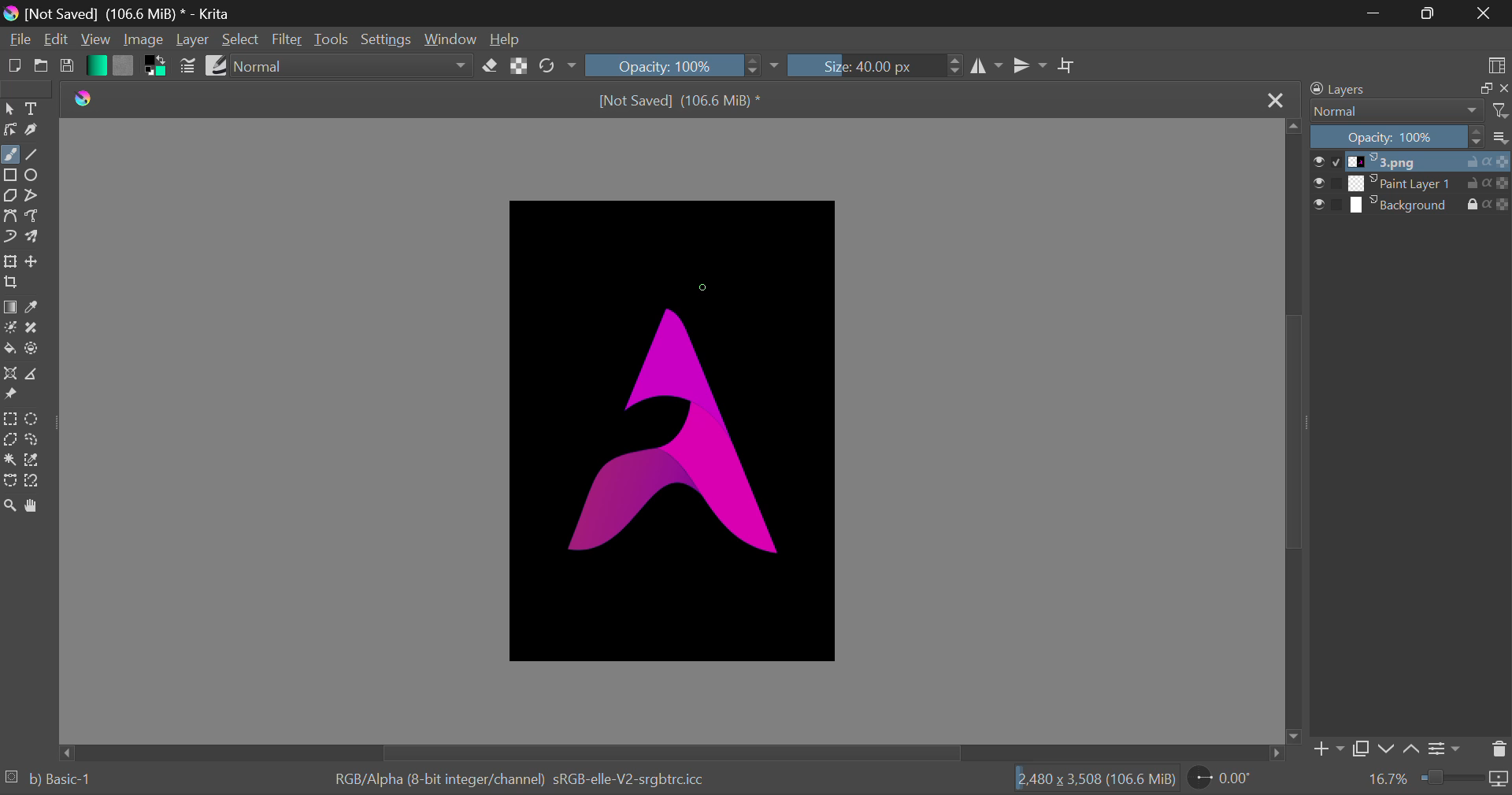  I want to click on Tools, so click(332, 41).